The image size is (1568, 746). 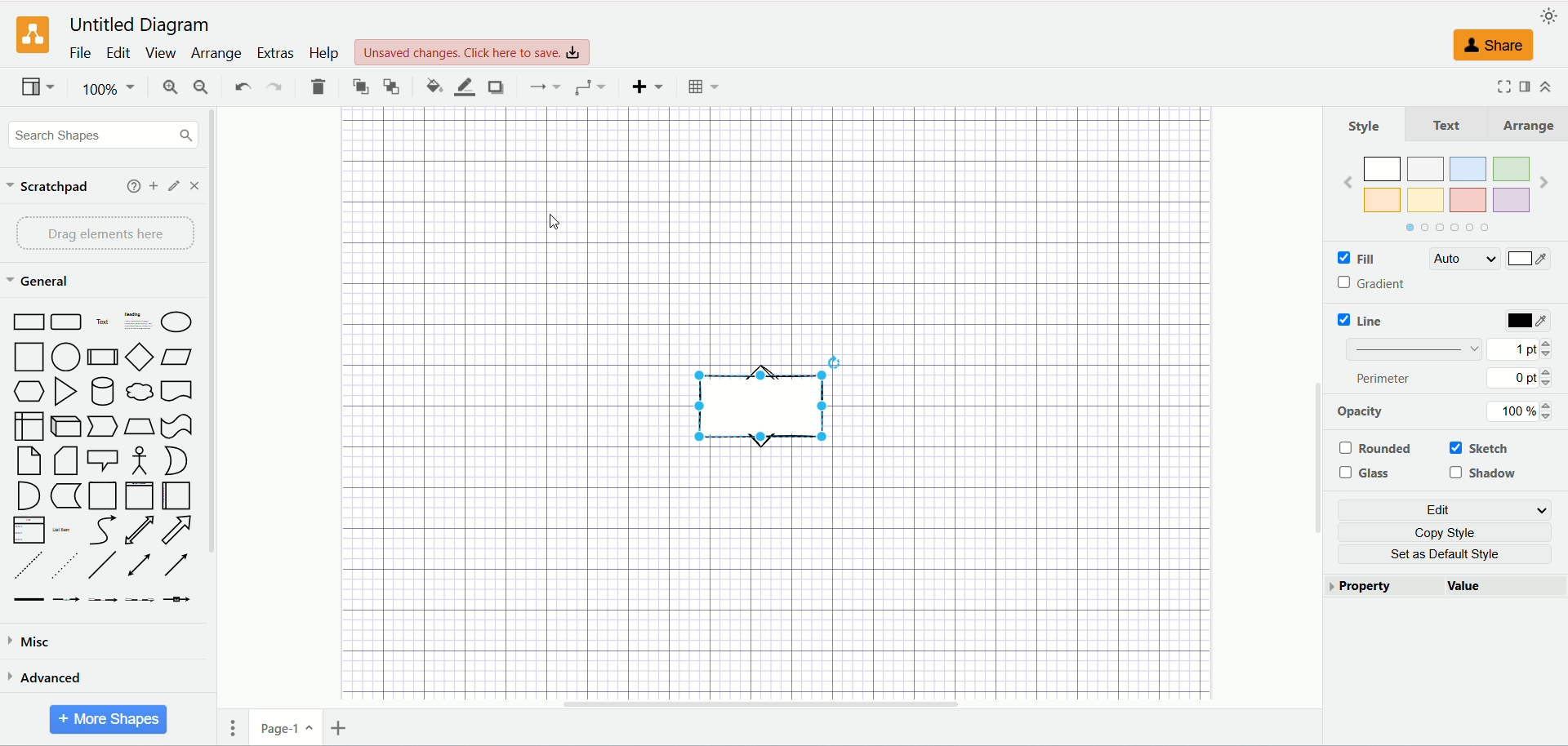 I want to click on Callout, so click(x=103, y=460).